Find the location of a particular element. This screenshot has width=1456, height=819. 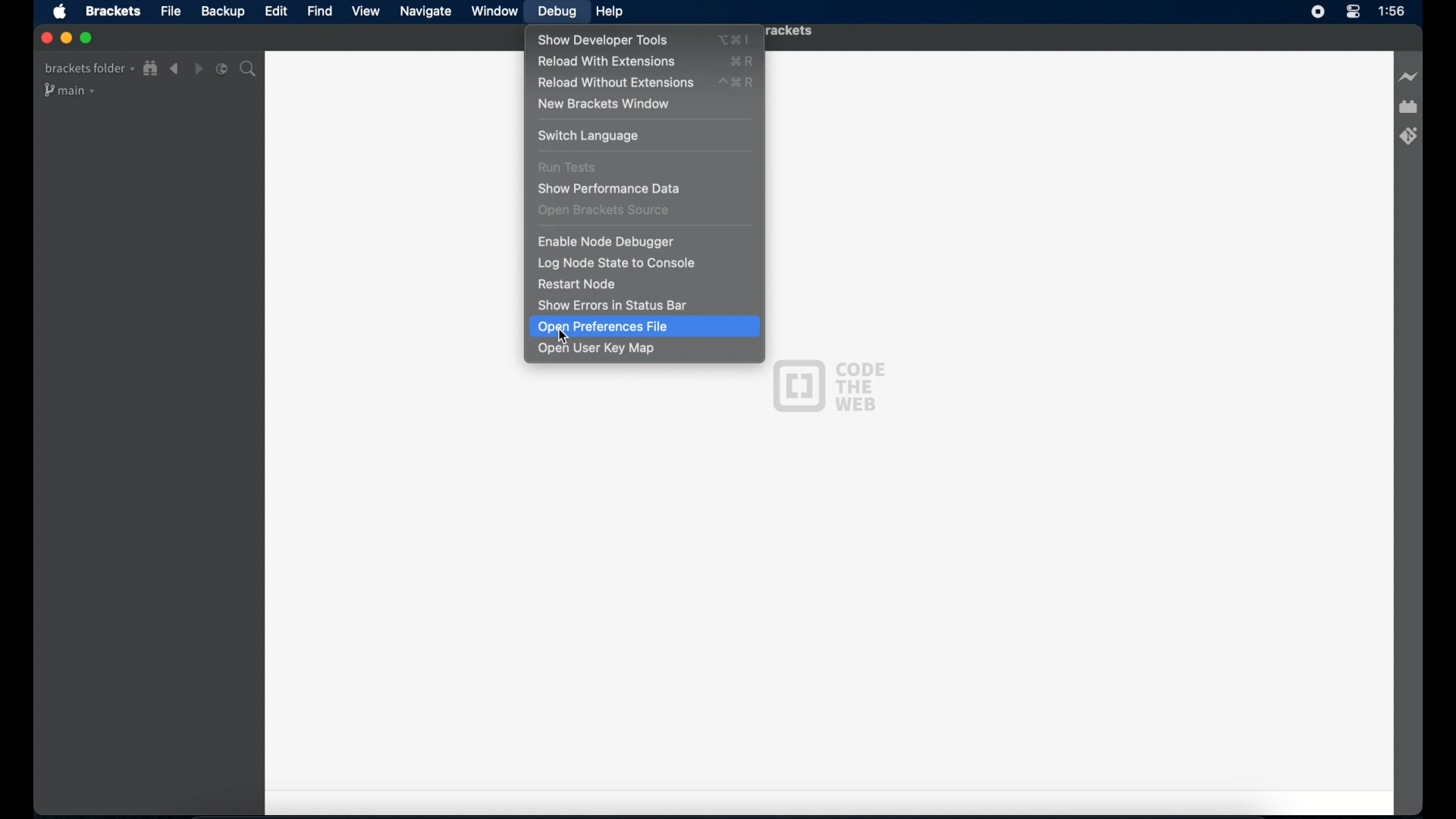

find is located at coordinates (320, 11).